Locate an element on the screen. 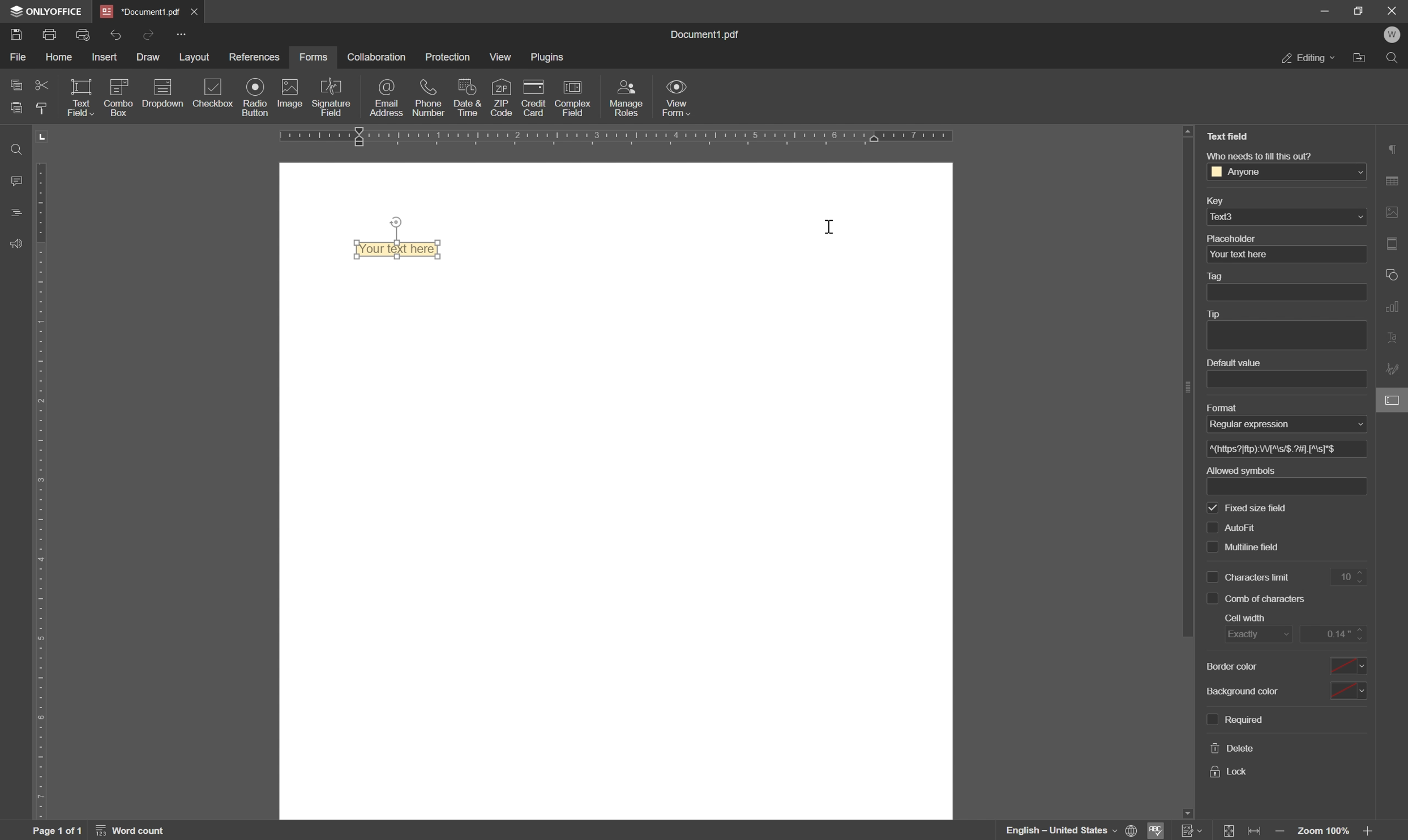  background color is located at coordinates (1249, 690).